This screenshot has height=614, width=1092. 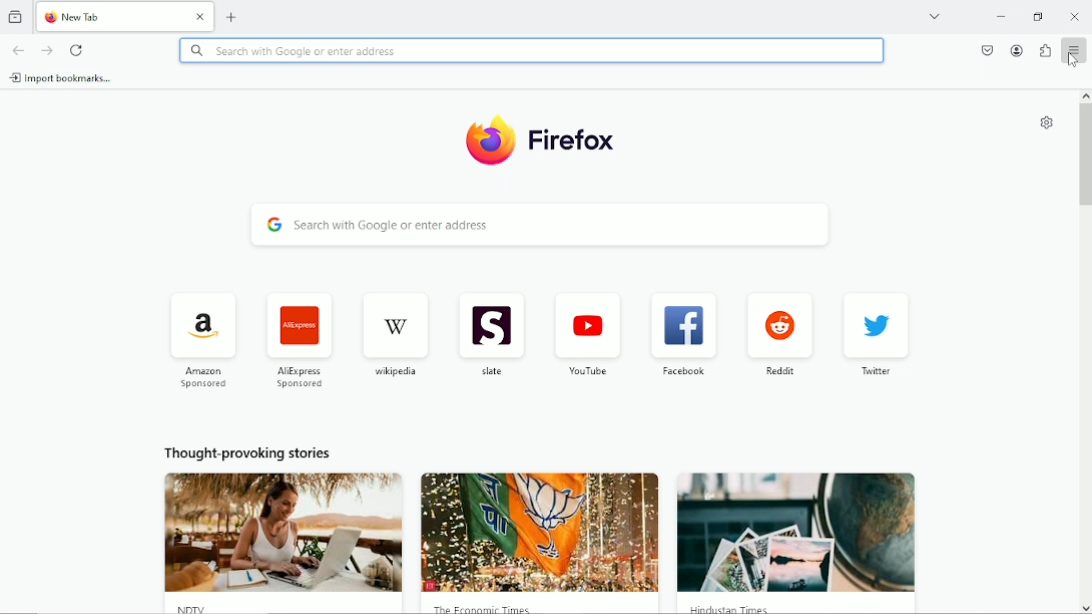 I want to click on restore down, so click(x=1039, y=17).